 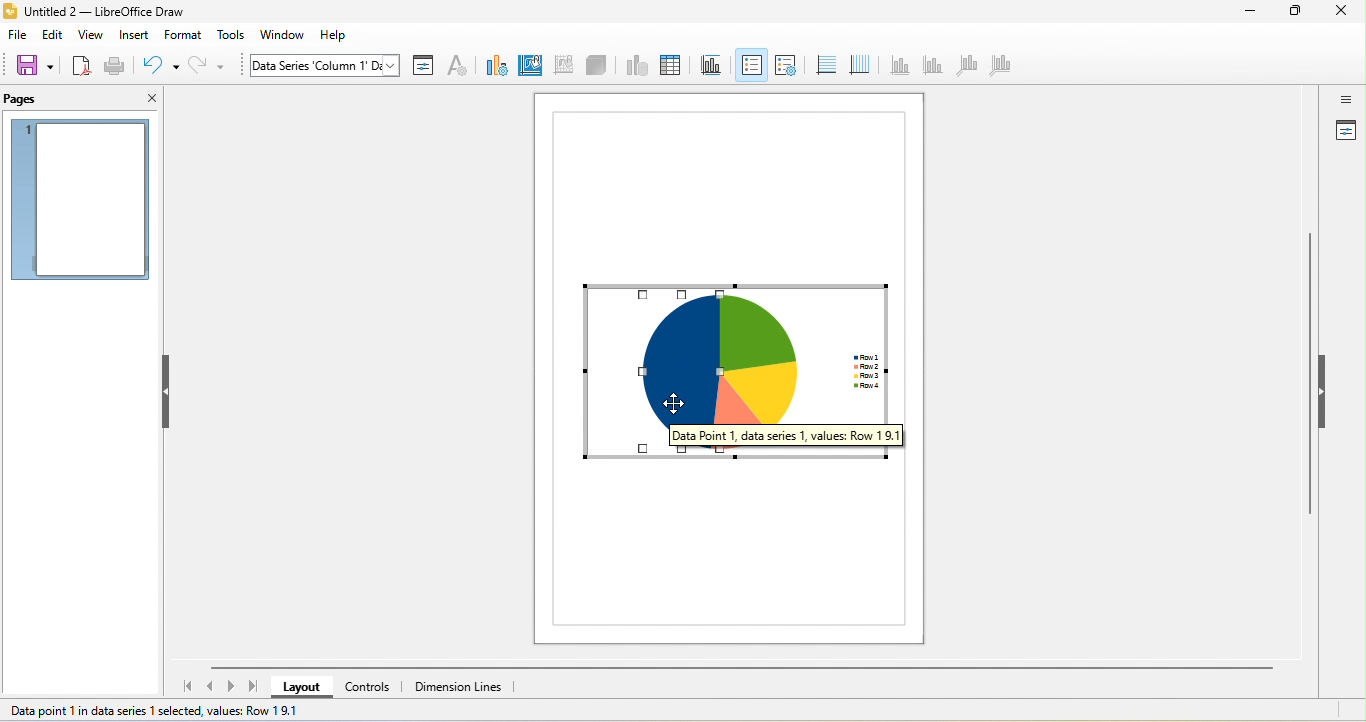 I want to click on toggle sidebar, so click(x=1345, y=99).